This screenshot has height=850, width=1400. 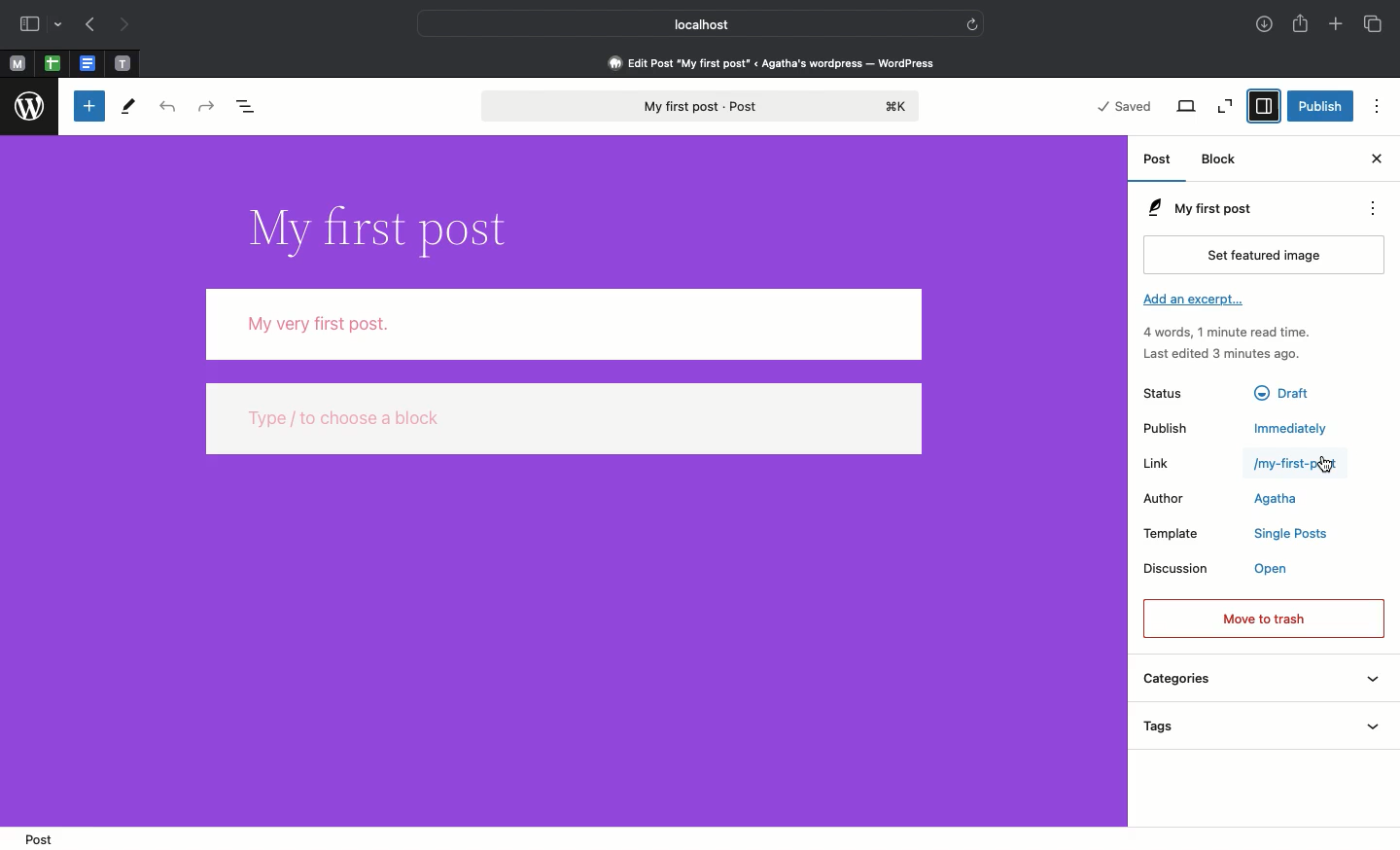 I want to click on Body, so click(x=565, y=324).